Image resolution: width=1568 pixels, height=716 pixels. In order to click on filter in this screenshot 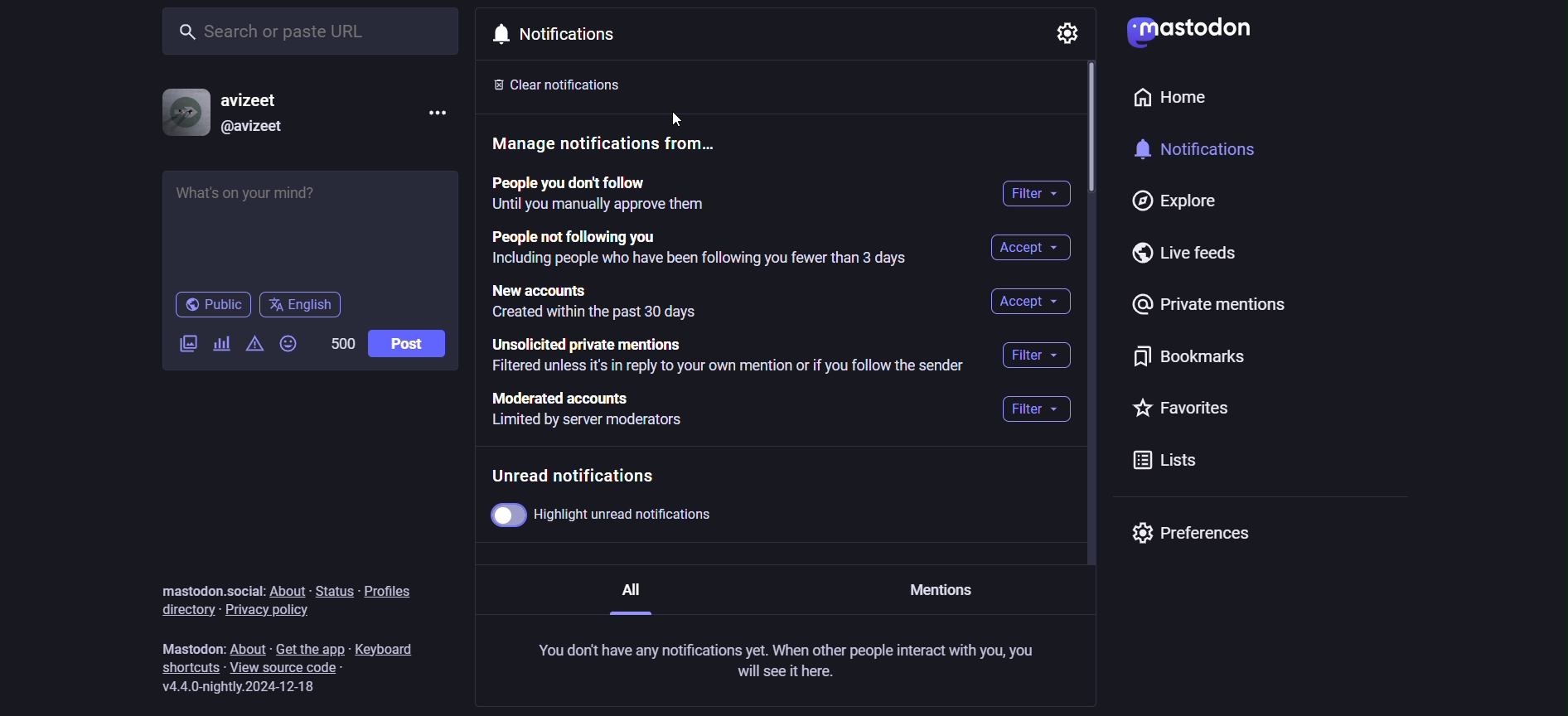, I will do `click(1042, 353)`.